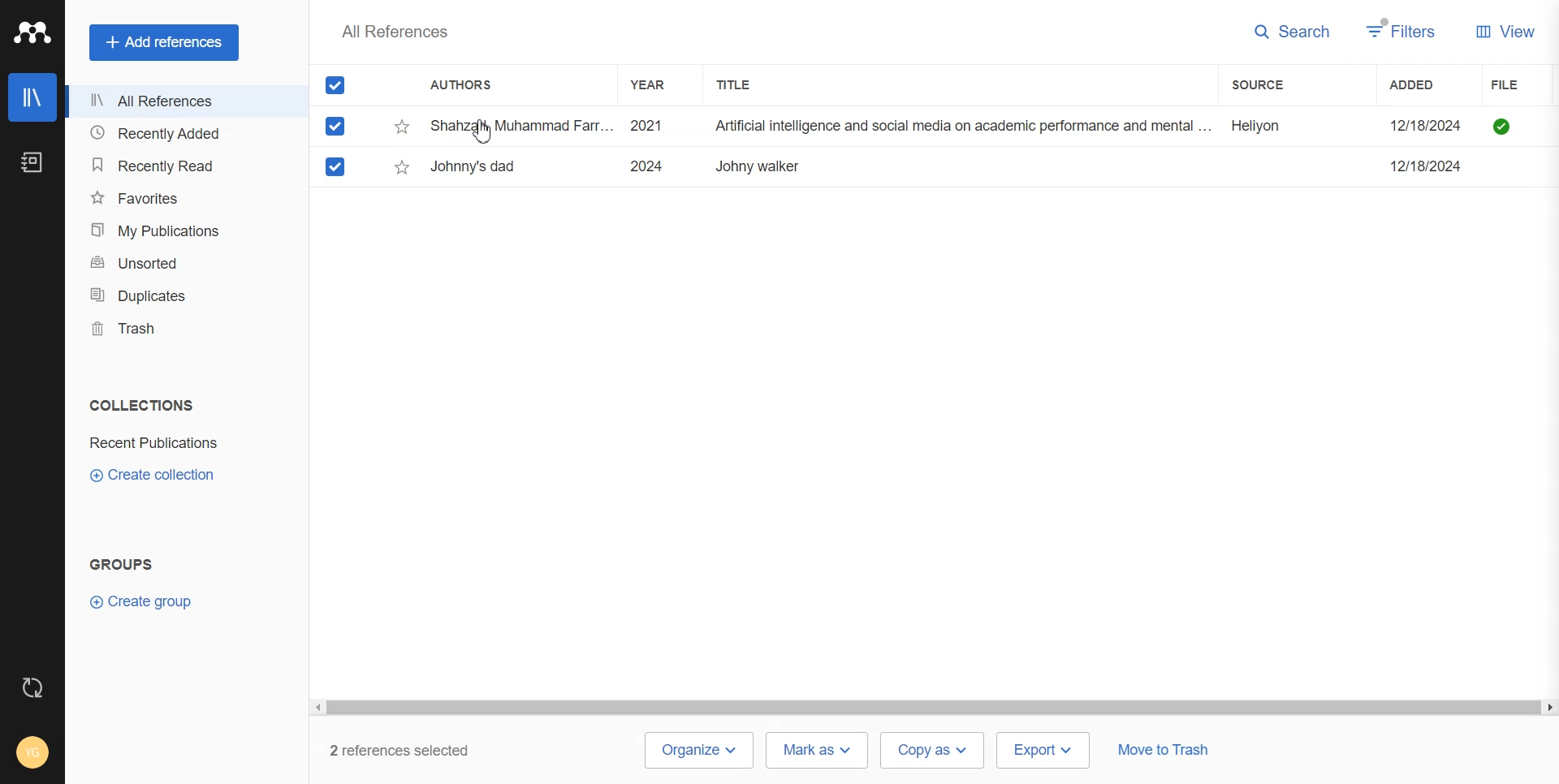 This screenshot has height=784, width=1559. I want to click on Favorites, so click(182, 196).